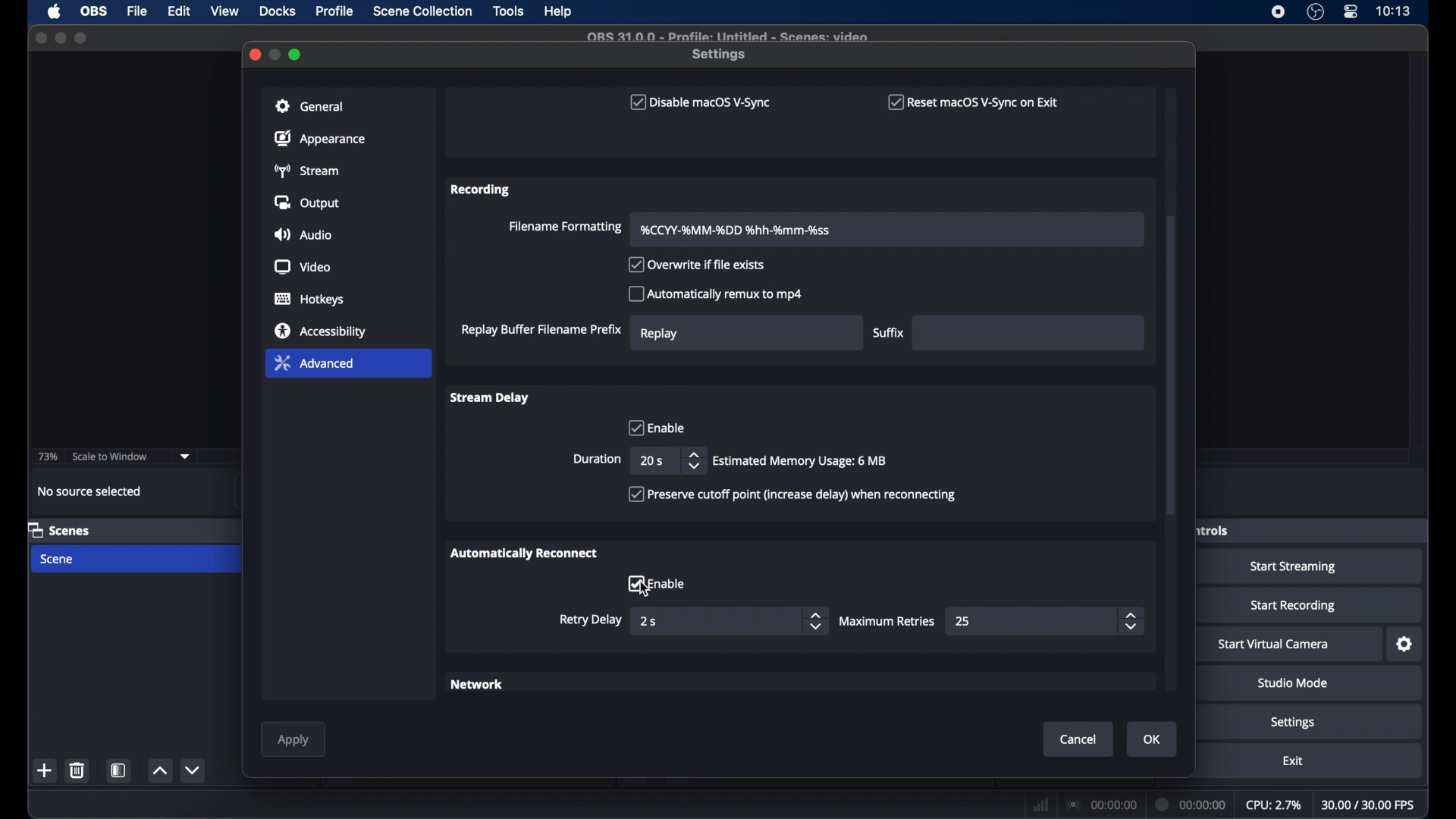 This screenshot has width=1456, height=819. I want to click on scene collection, so click(424, 11).